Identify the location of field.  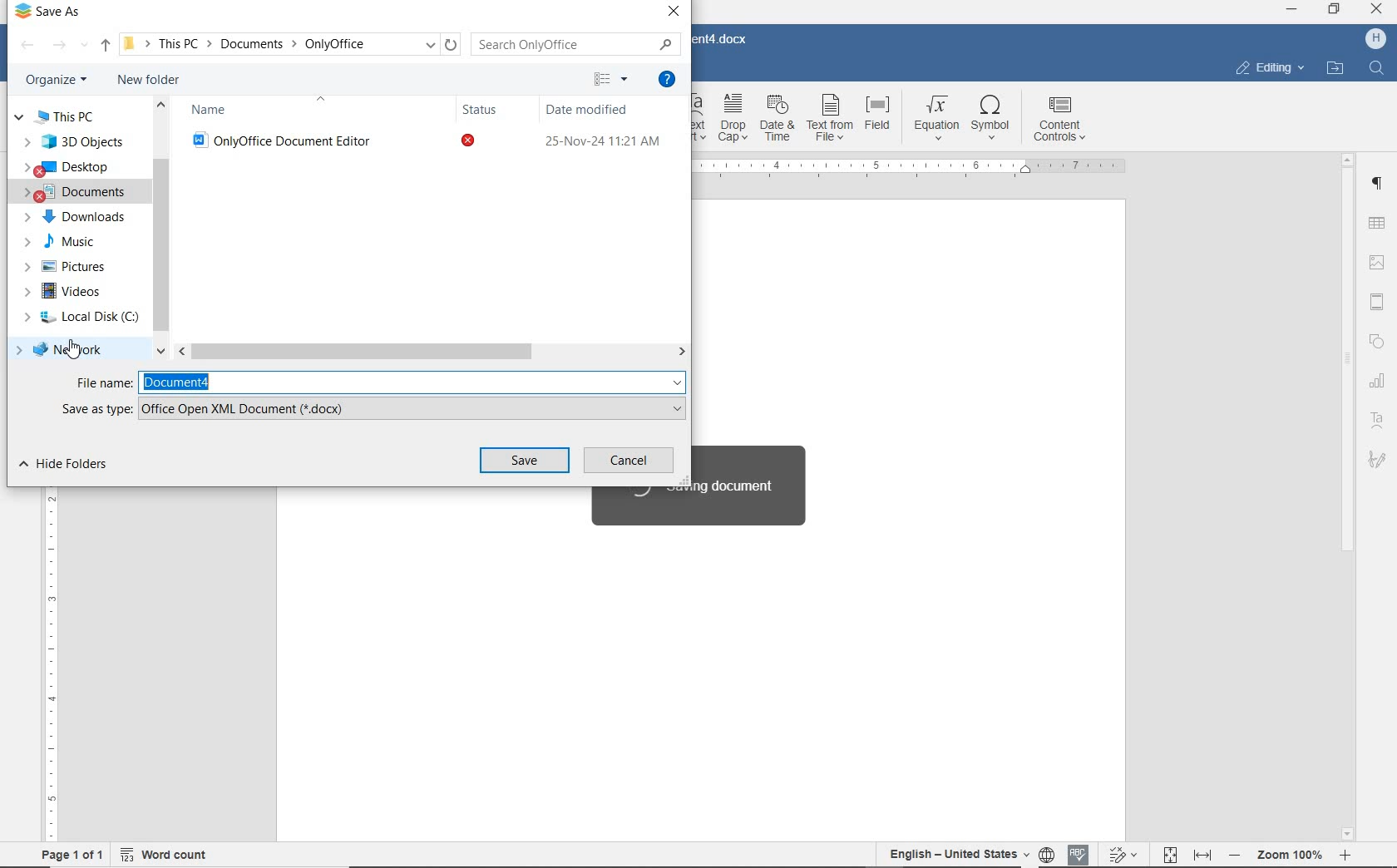
(876, 121).